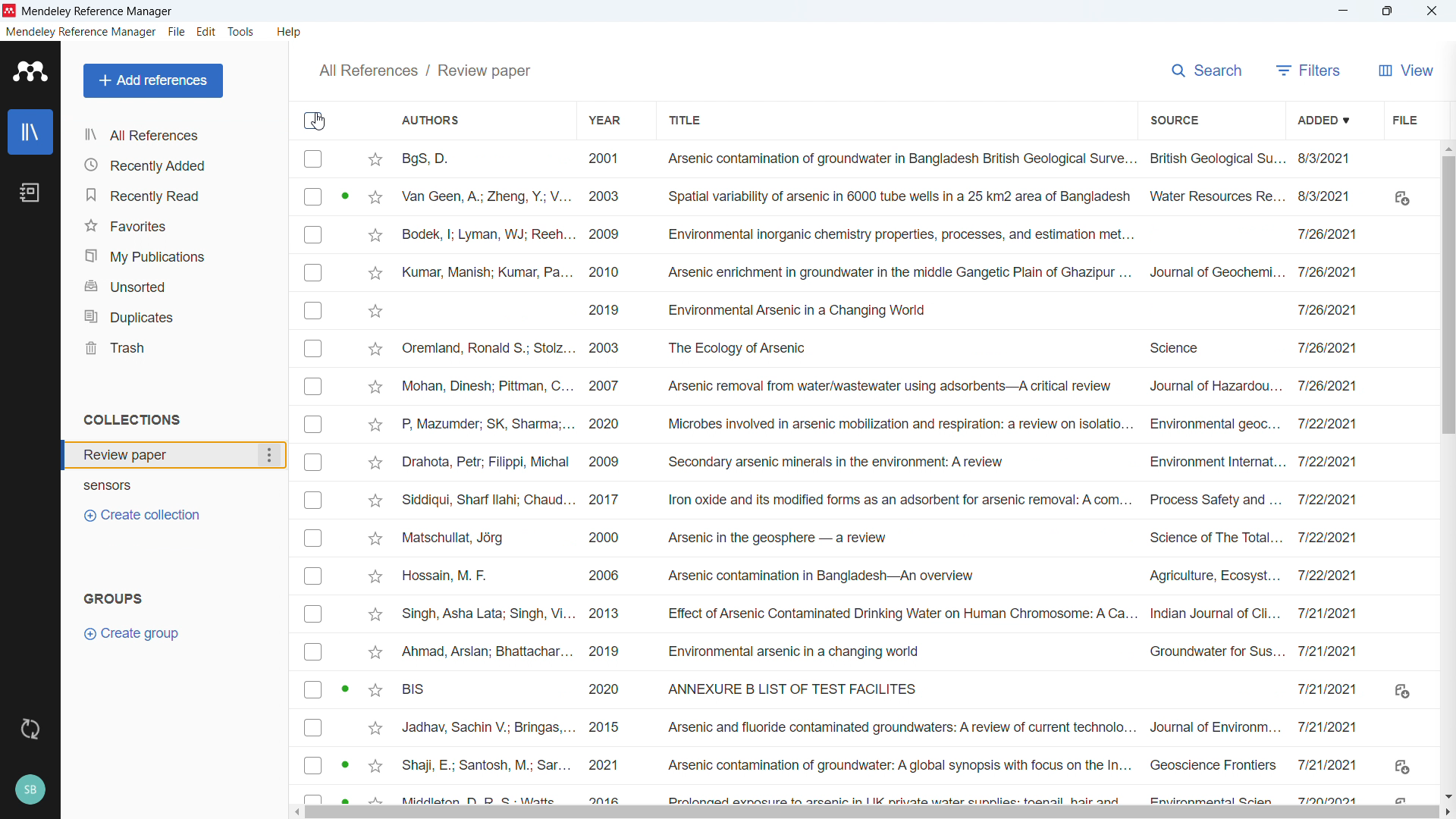 The height and width of the screenshot is (819, 1456). What do you see at coordinates (375, 236) in the screenshot?
I see `Star mark respective publication` at bounding box center [375, 236].